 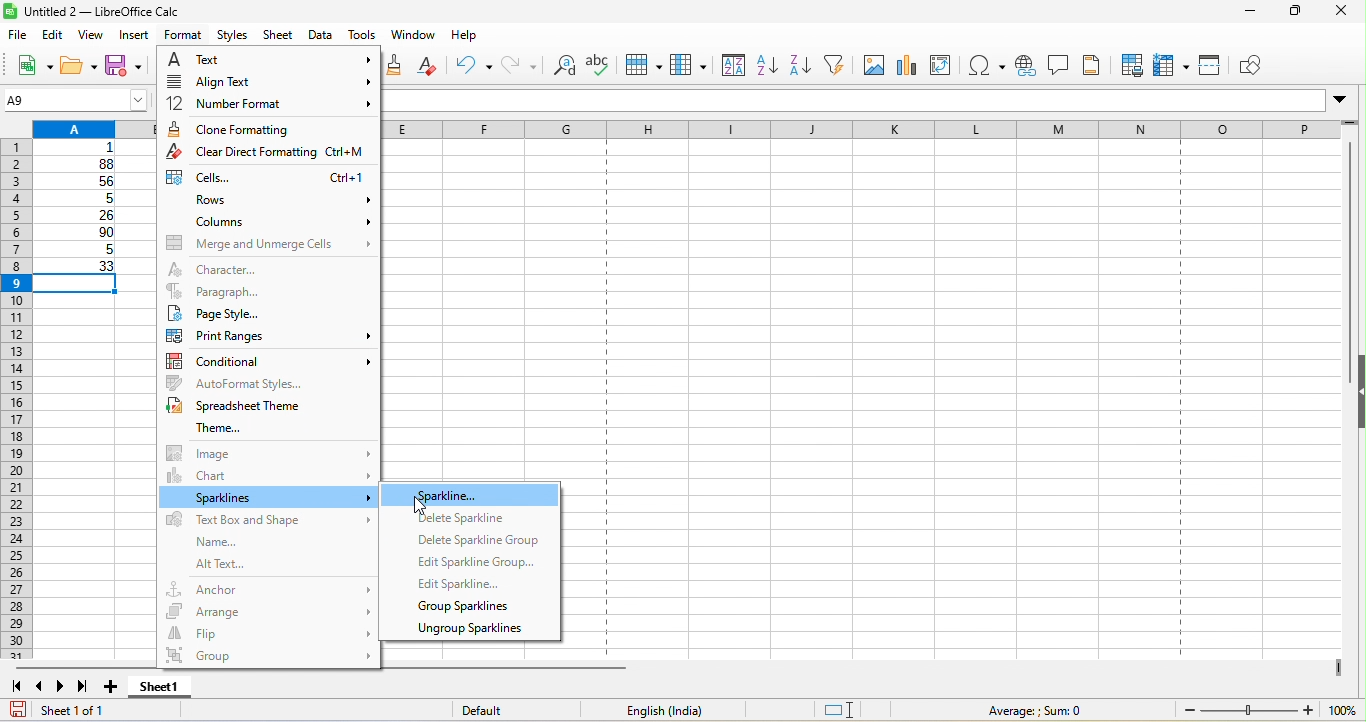 What do you see at coordinates (469, 520) in the screenshot?
I see `delete sparkline` at bounding box center [469, 520].